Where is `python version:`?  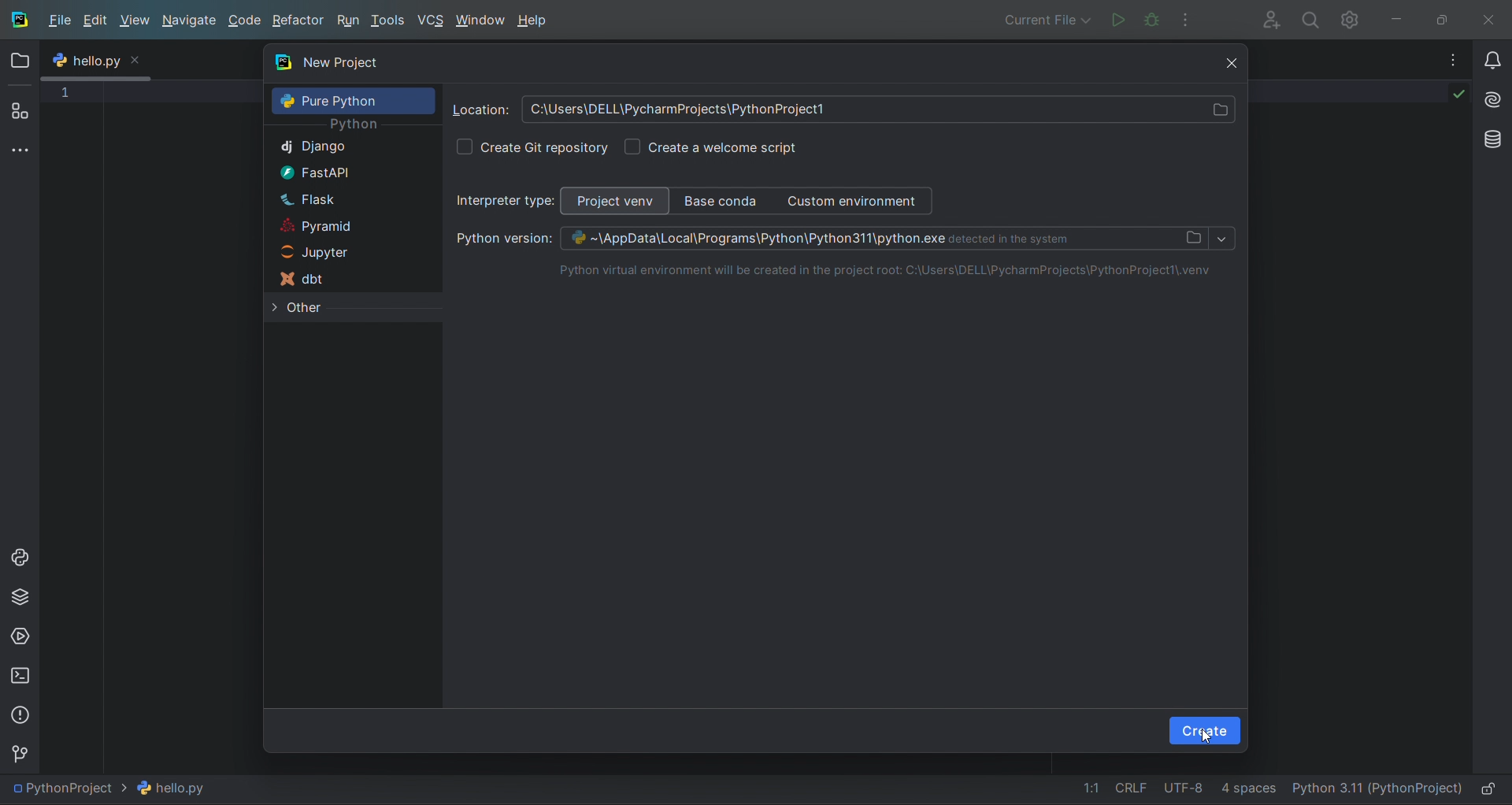 python version: is located at coordinates (495, 239).